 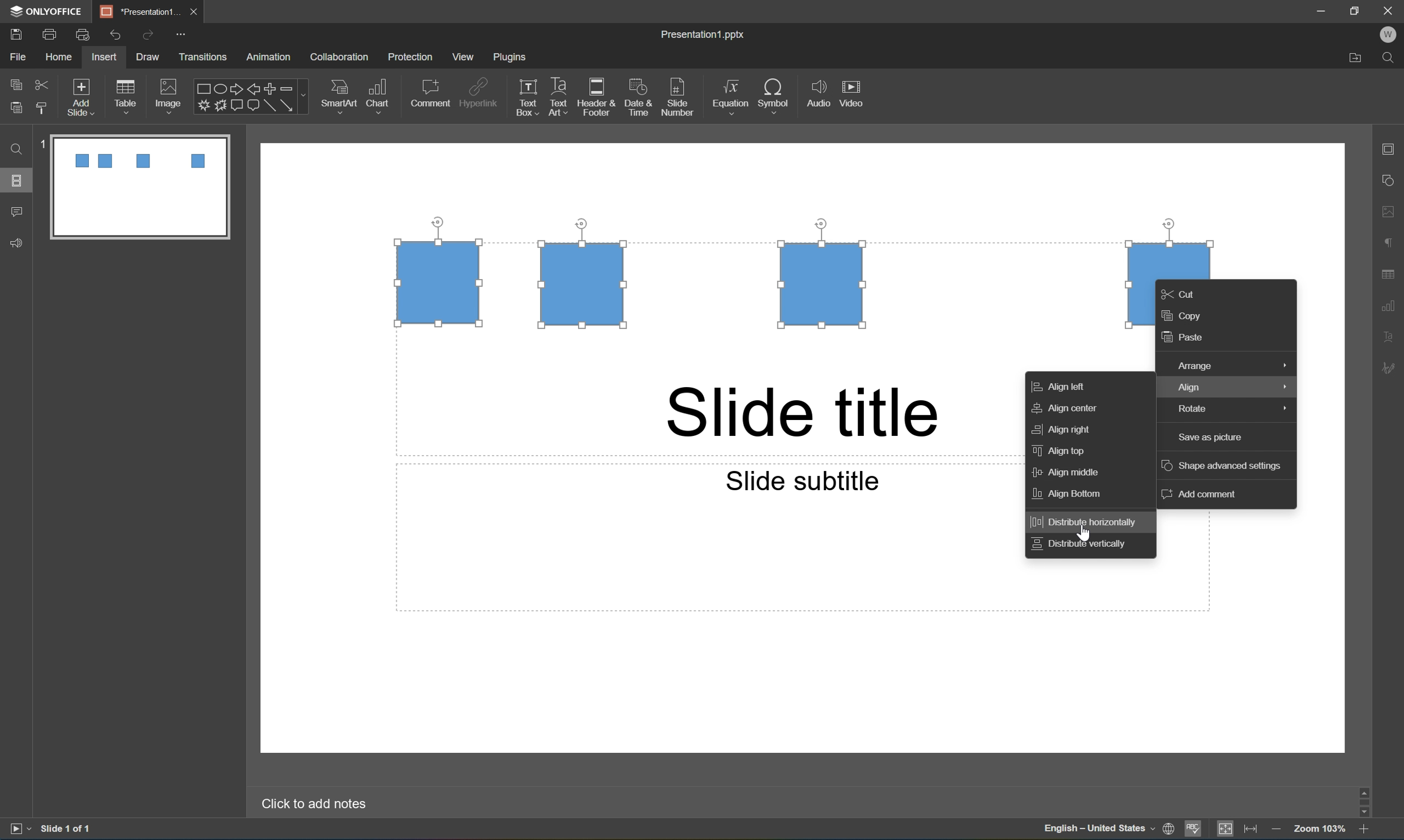 What do you see at coordinates (17, 150) in the screenshot?
I see `Find` at bounding box center [17, 150].